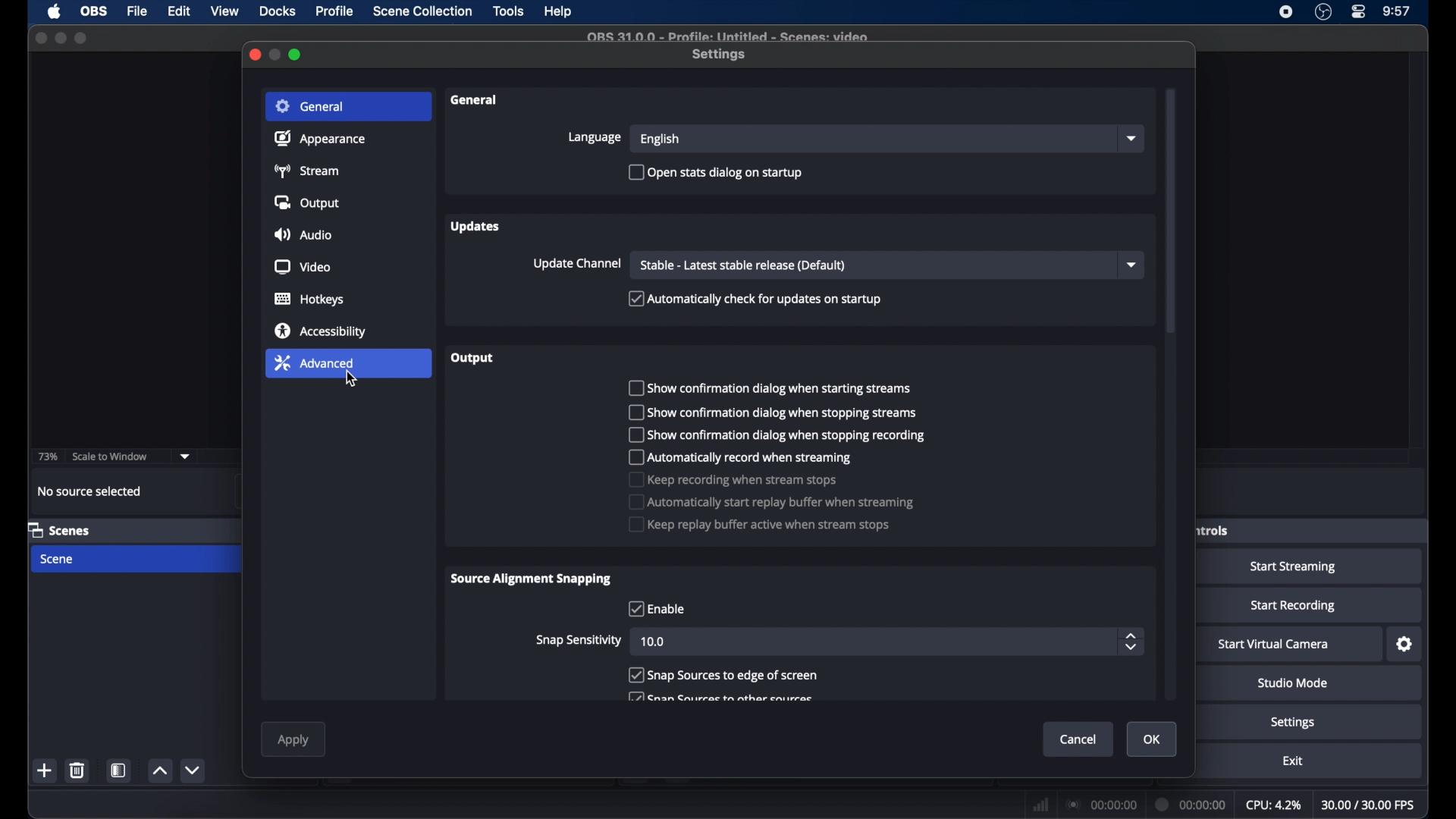 The width and height of the screenshot is (1456, 819). Describe the element at coordinates (1398, 11) in the screenshot. I see `time` at that location.